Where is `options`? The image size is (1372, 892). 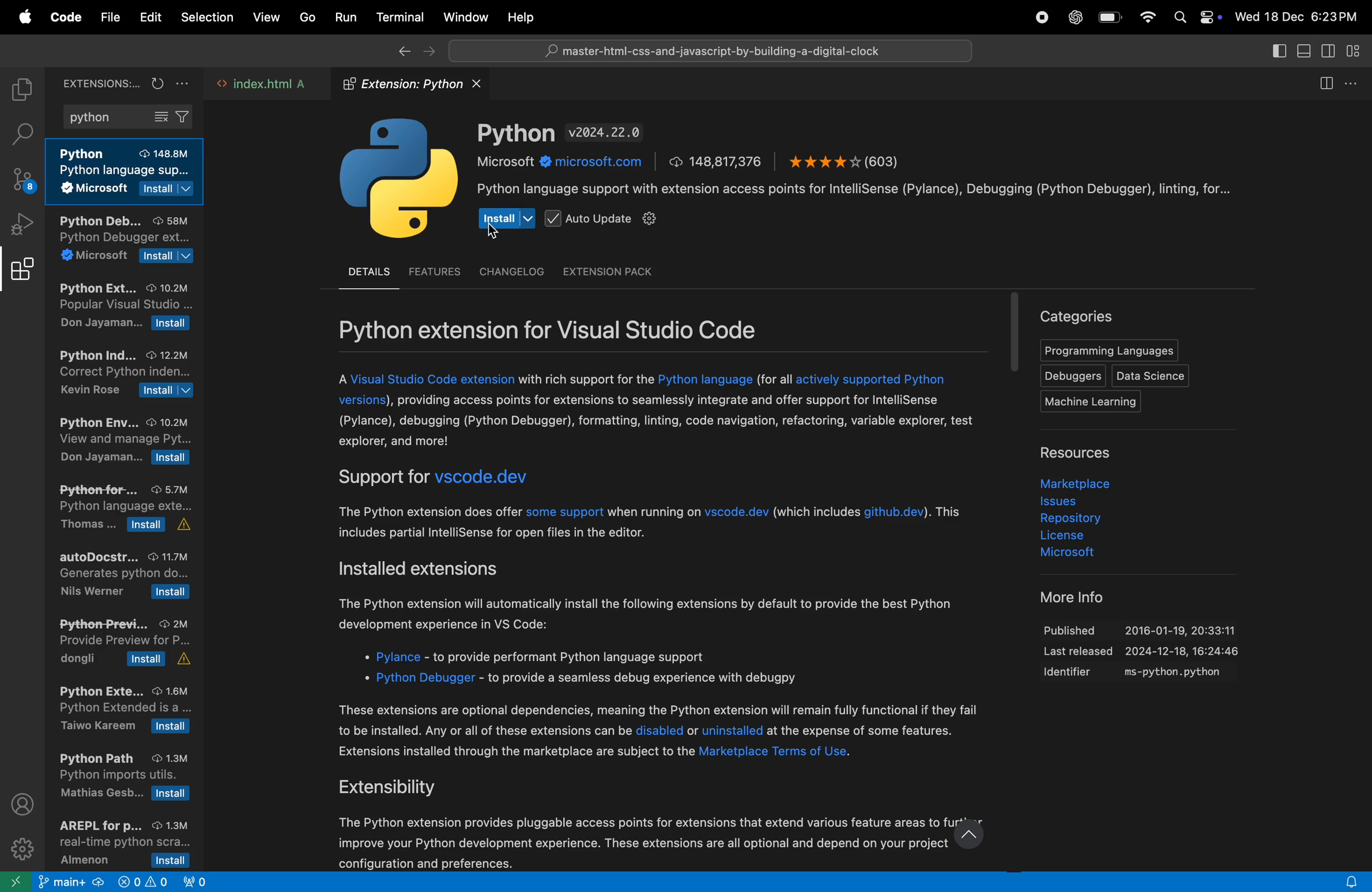
options is located at coordinates (184, 83).